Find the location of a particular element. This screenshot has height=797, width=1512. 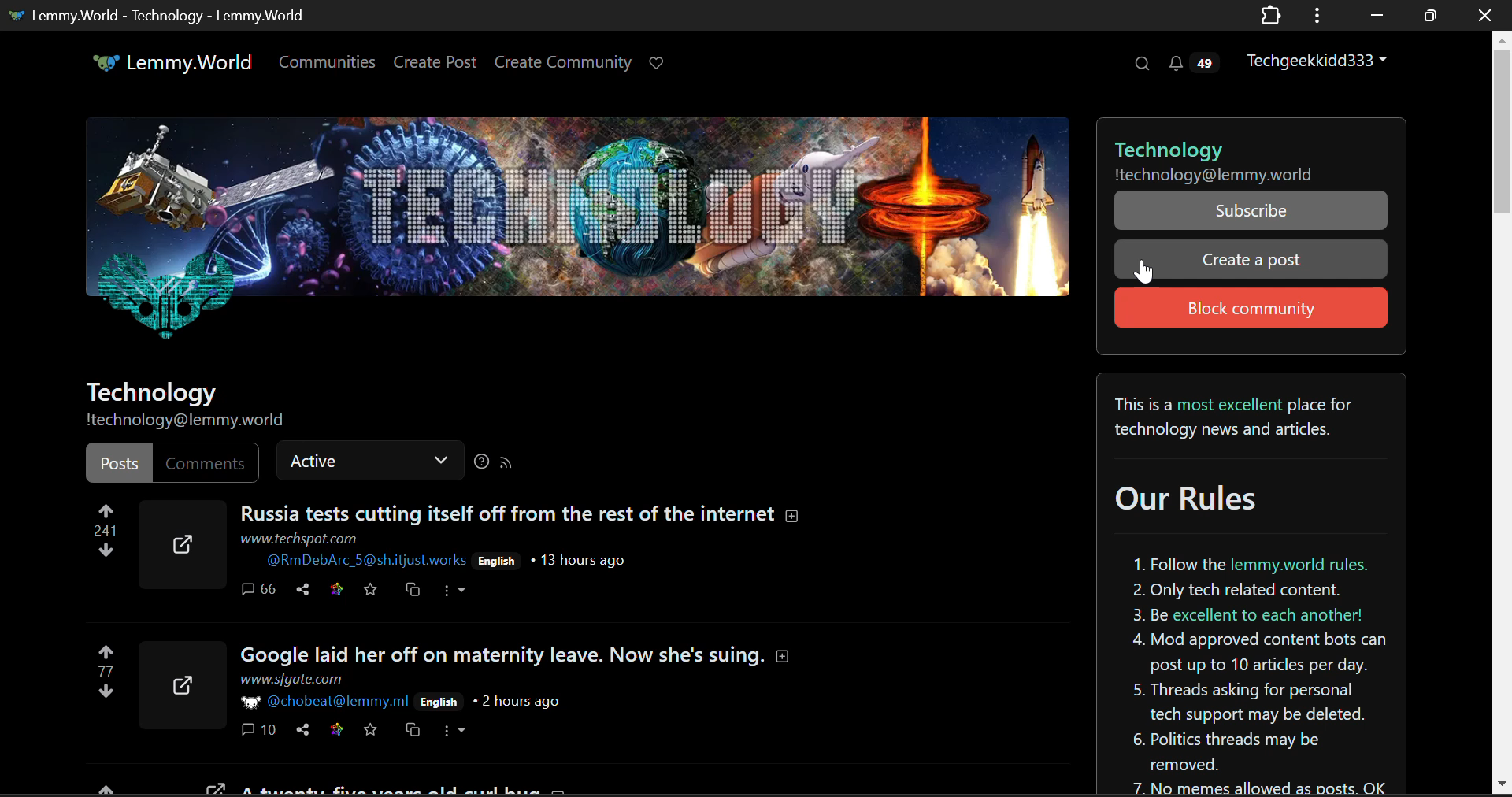

Comments is located at coordinates (257, 731).